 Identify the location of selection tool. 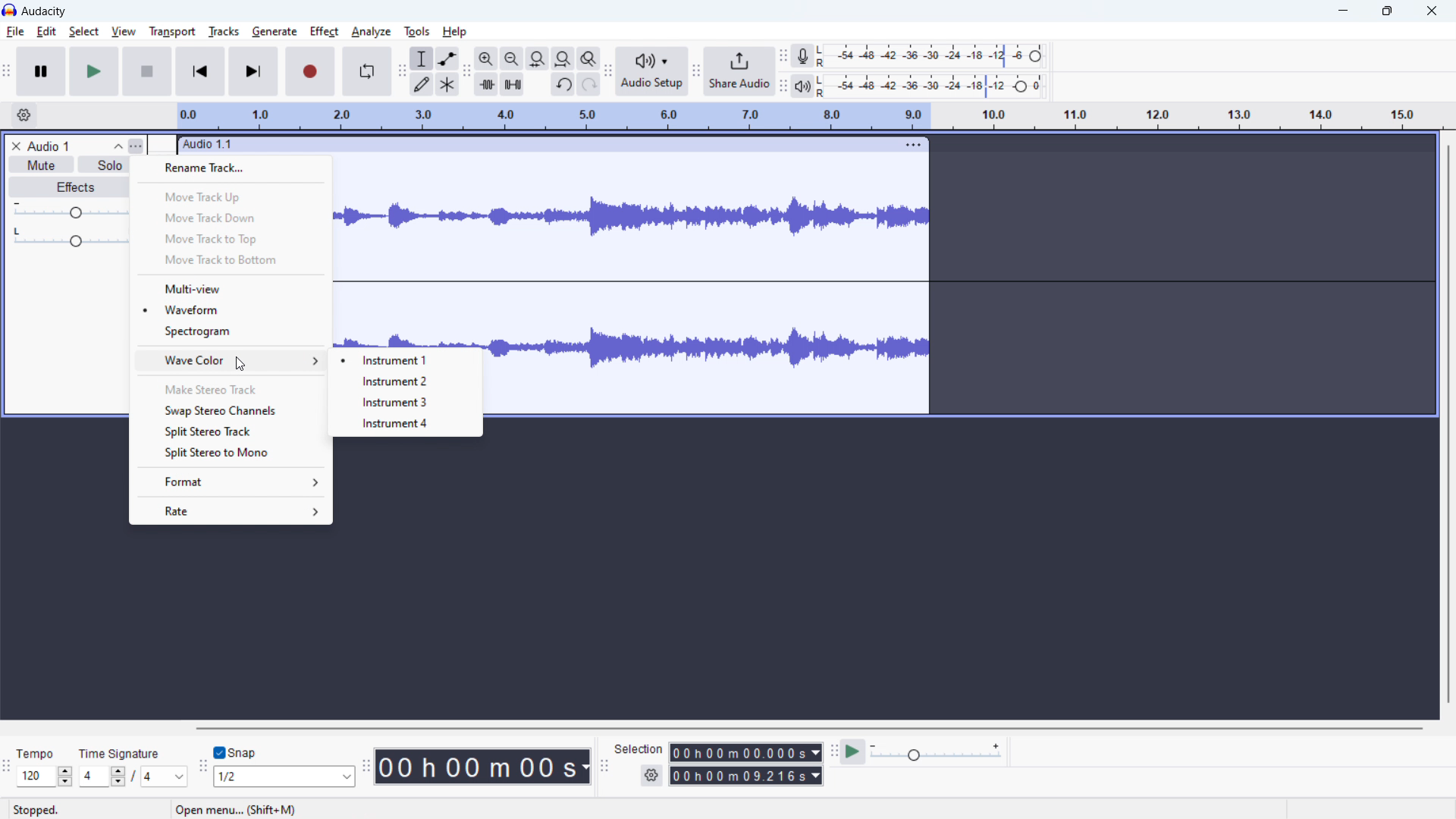
(422, 58).